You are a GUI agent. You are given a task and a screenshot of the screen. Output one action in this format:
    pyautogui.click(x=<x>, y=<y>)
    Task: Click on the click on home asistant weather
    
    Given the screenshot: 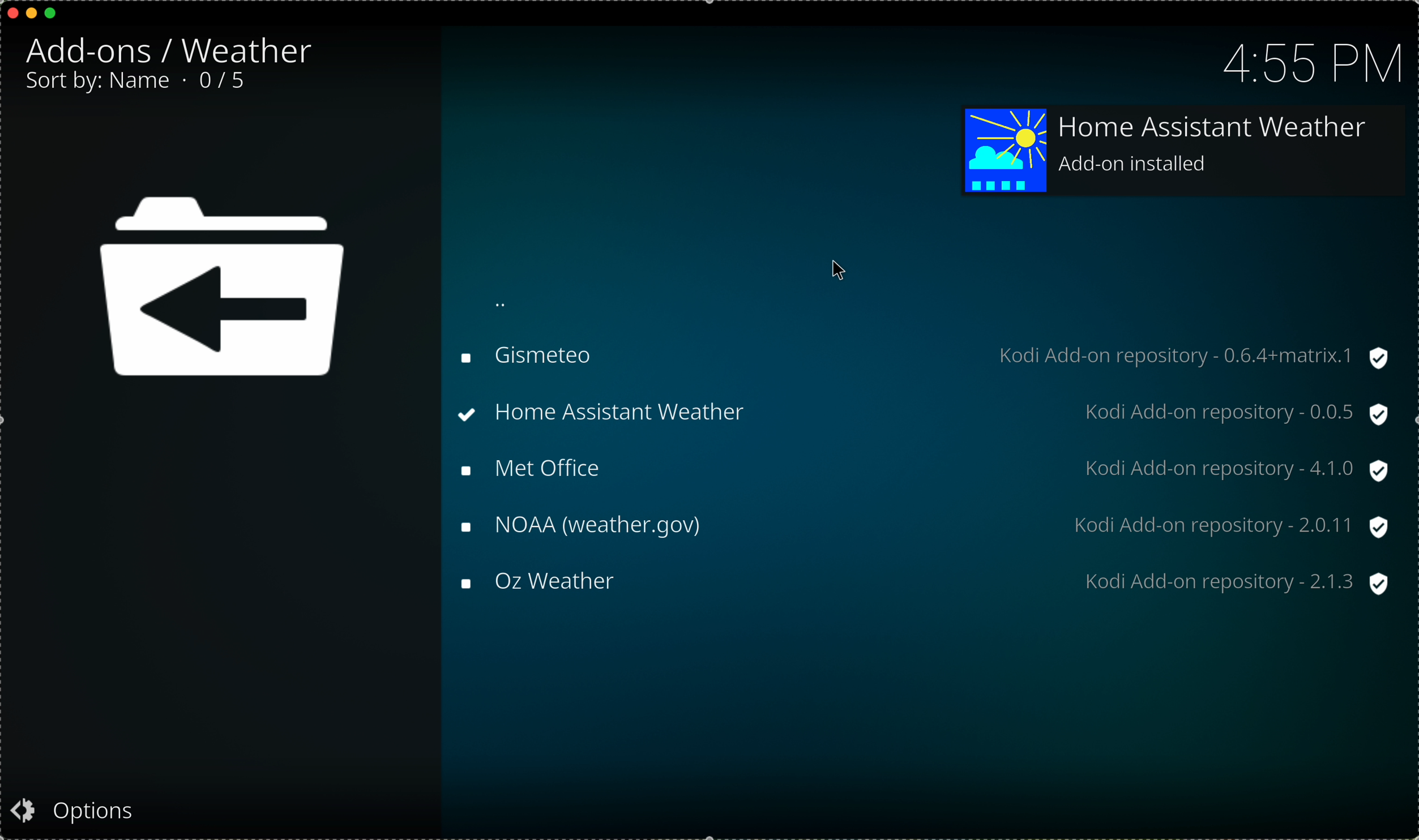 What is the action you would take?
    pyautogui.click(x=927, y=414)
    